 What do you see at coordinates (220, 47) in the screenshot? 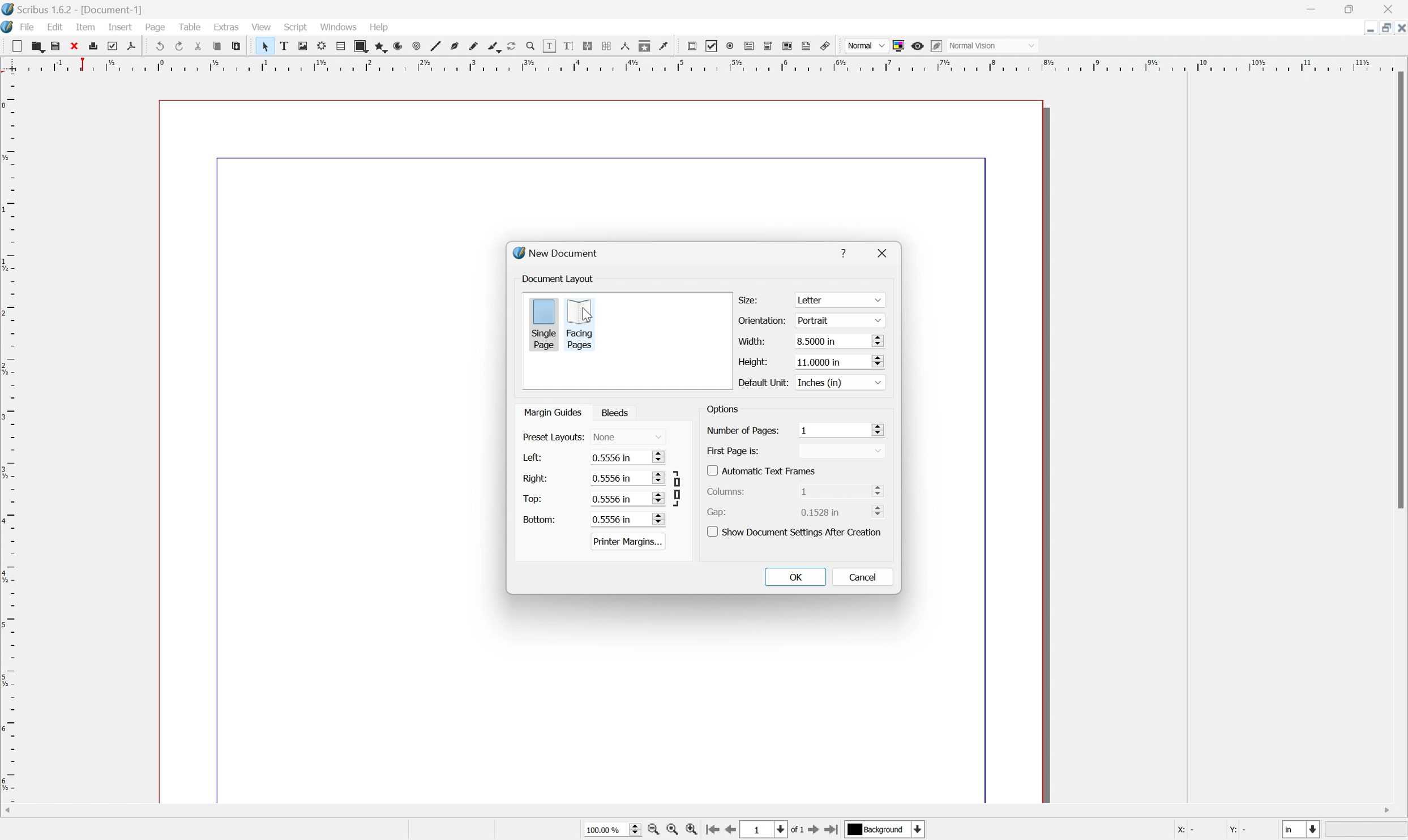
I see `Copy` at bounding box center [220, 47].